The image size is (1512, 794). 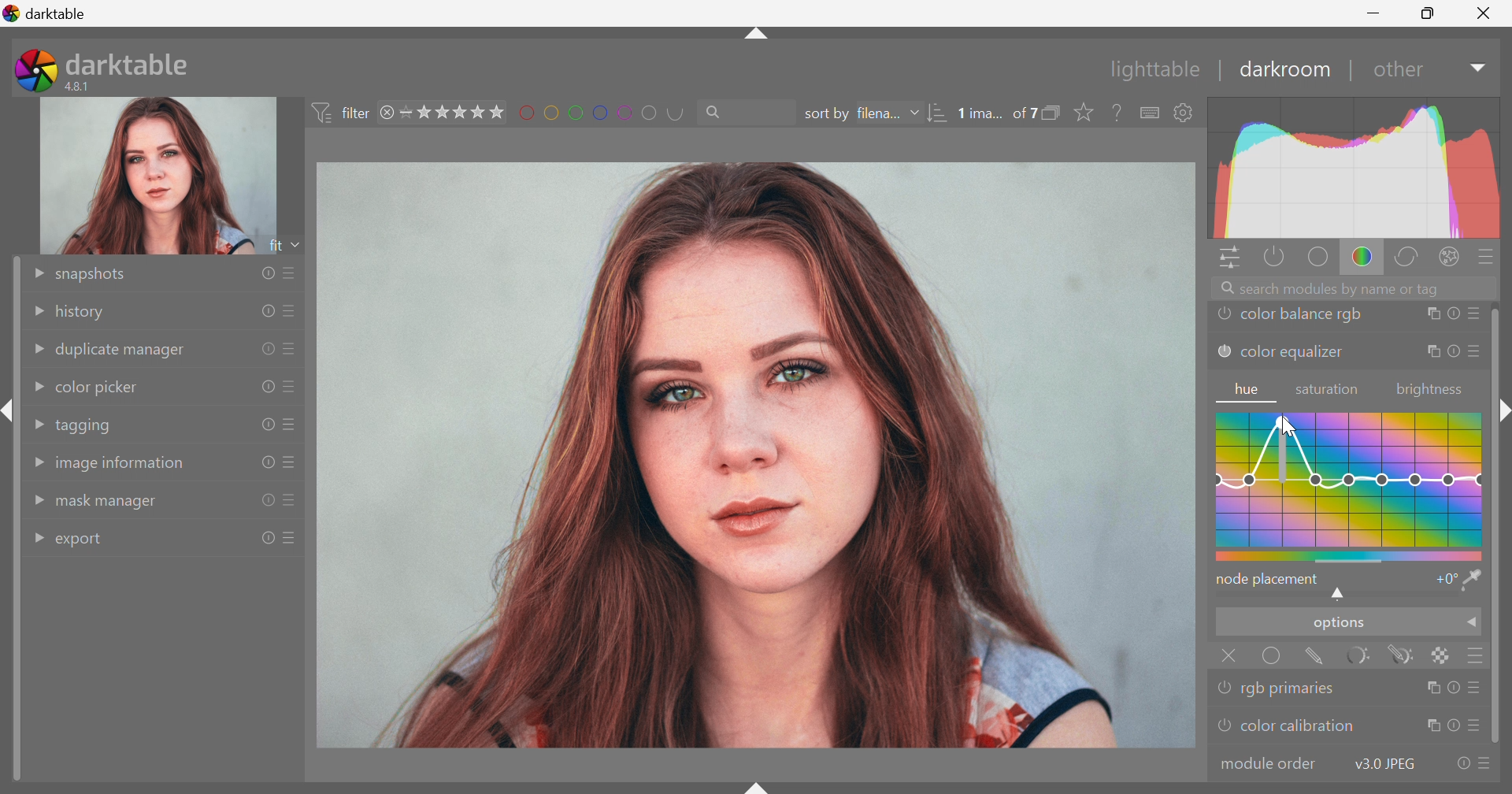 I want to click on presets, so click(x=292, y=389).